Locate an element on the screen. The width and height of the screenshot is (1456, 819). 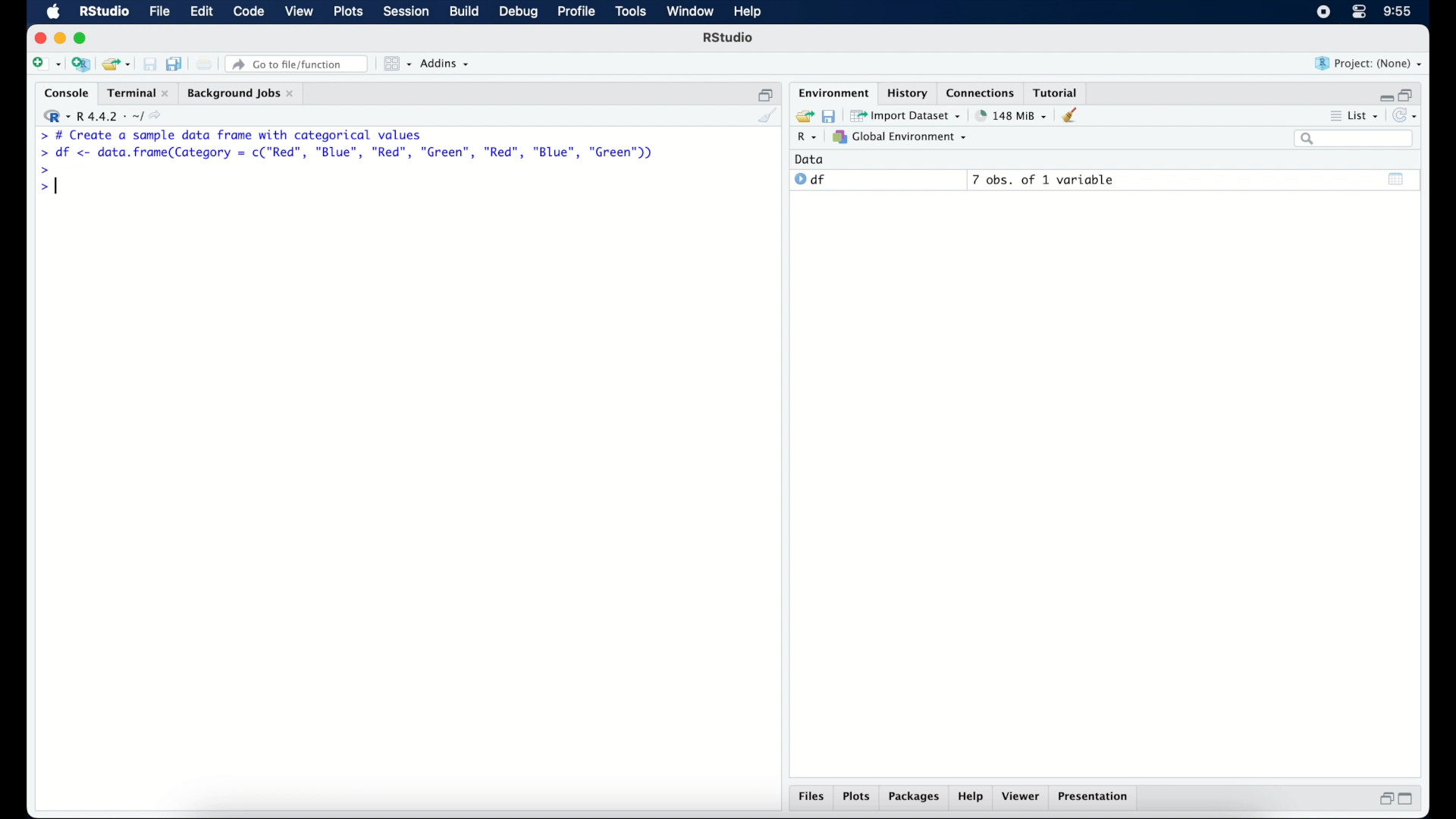
> # Create a sample data frame with categorical values| is located at coordinates (252, 134).